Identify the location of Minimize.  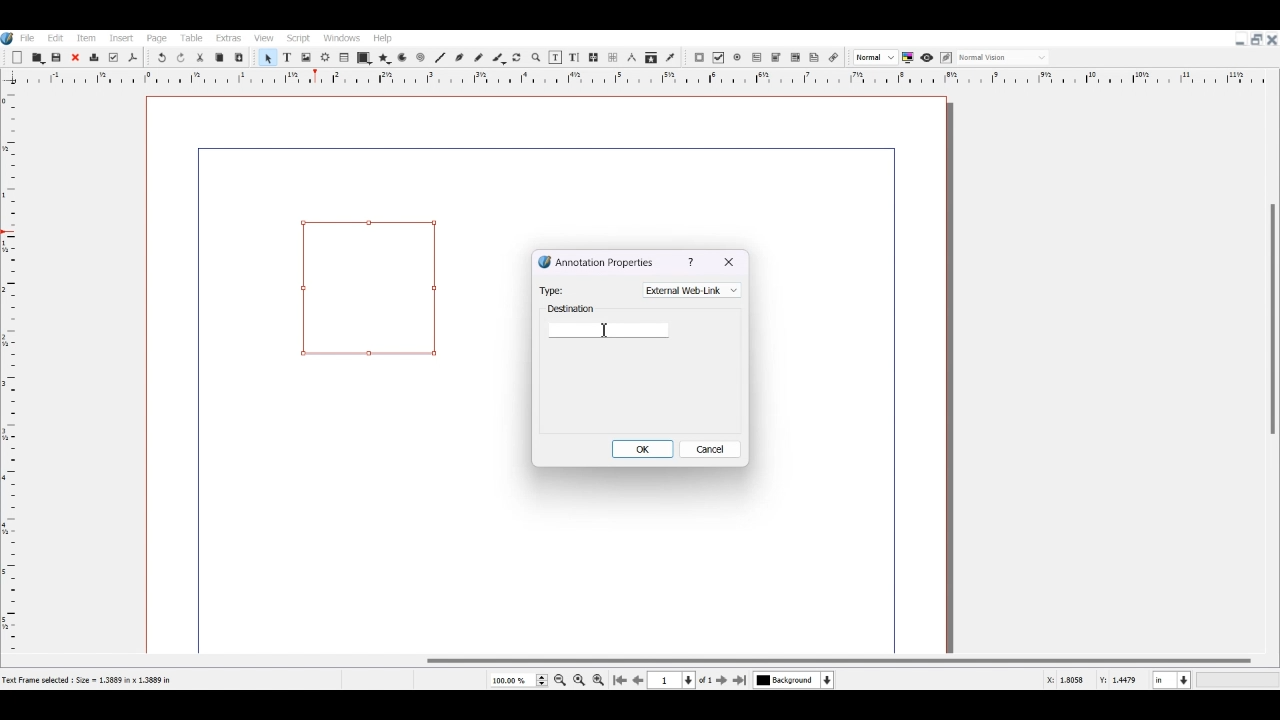
(1240, 40).